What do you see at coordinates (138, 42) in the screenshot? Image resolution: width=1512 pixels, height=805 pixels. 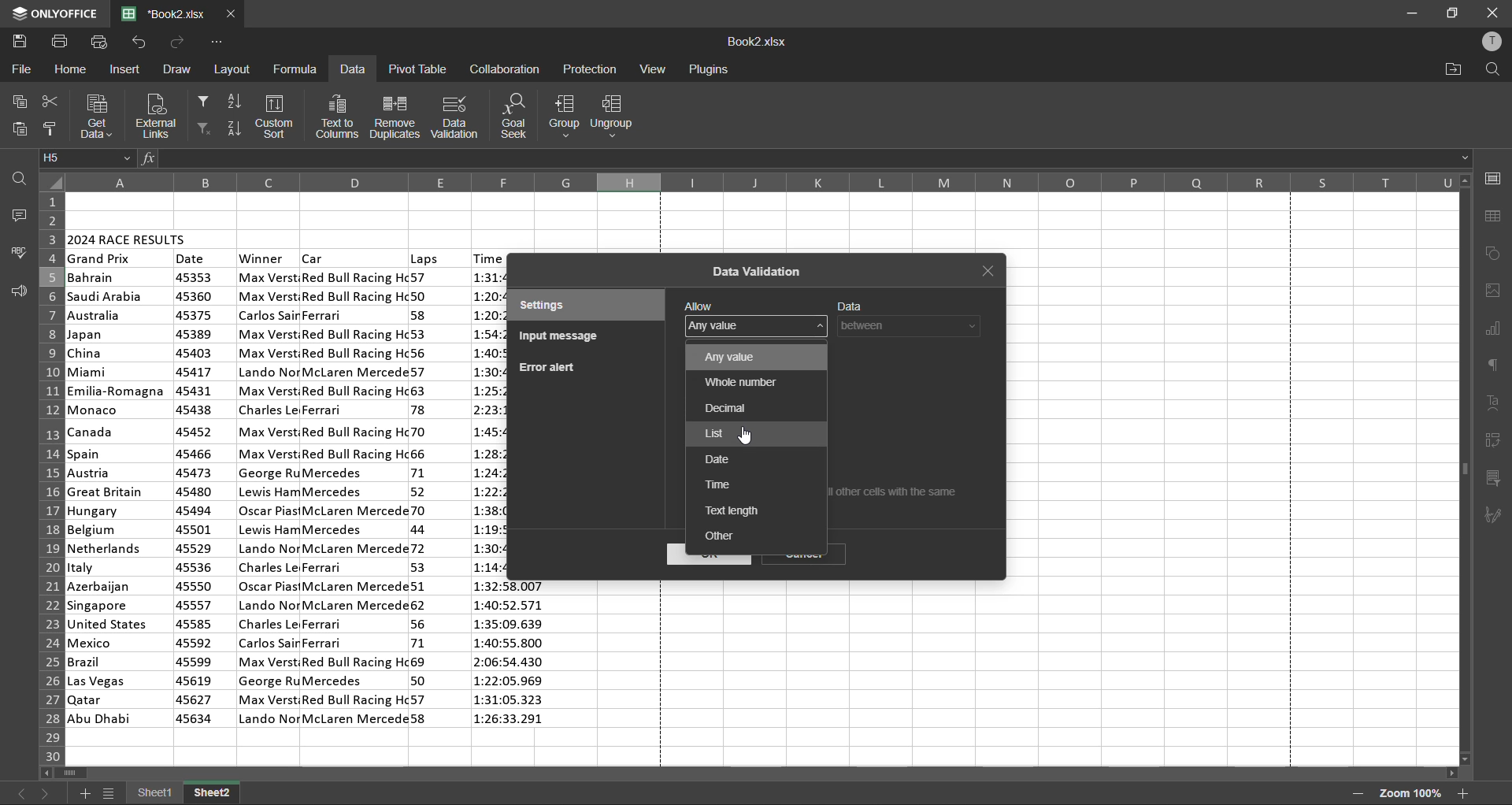 I see `undo` at bounding box center [138, 42].